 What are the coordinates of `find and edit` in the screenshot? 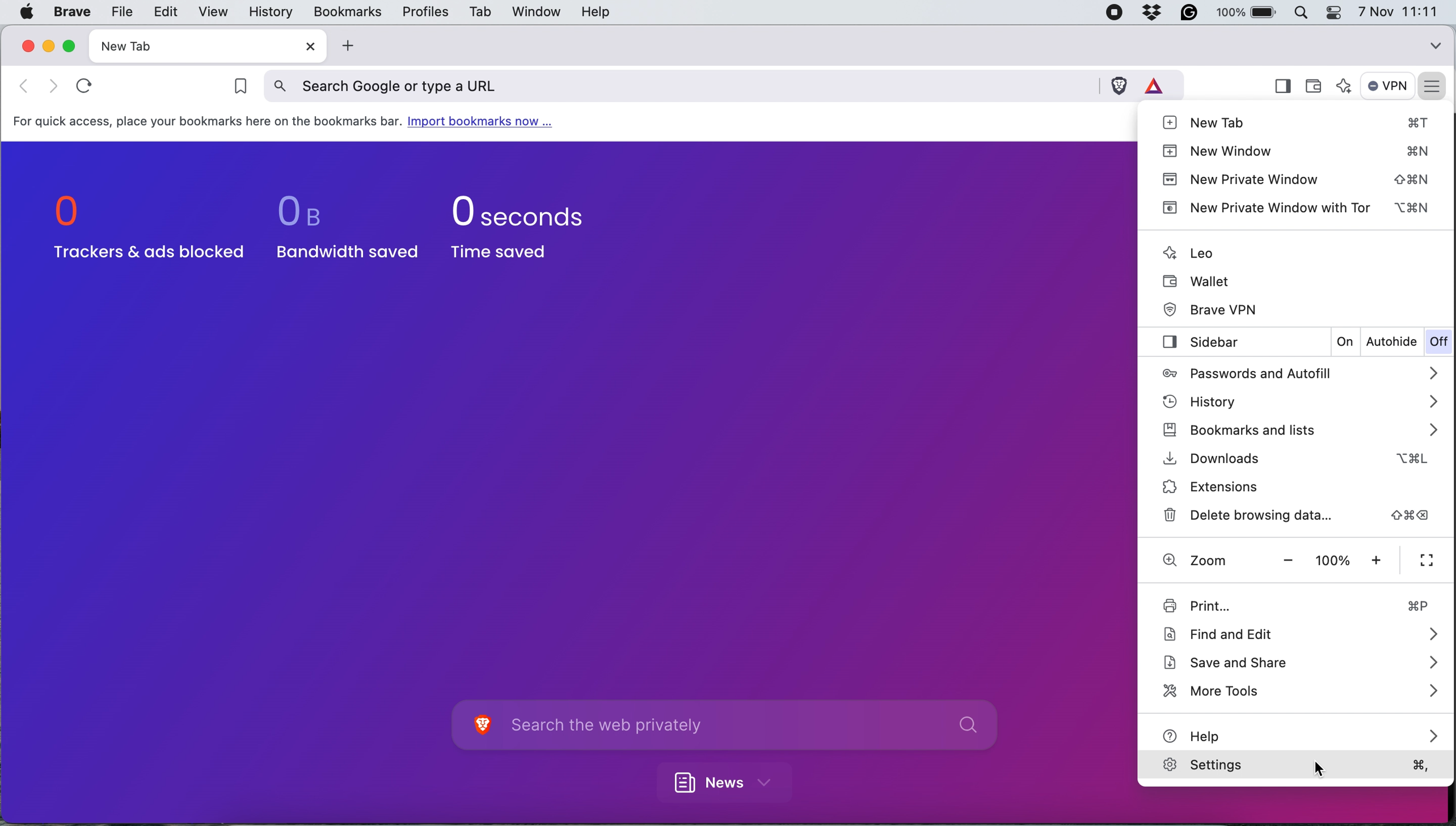 It's located at (1298, 632).